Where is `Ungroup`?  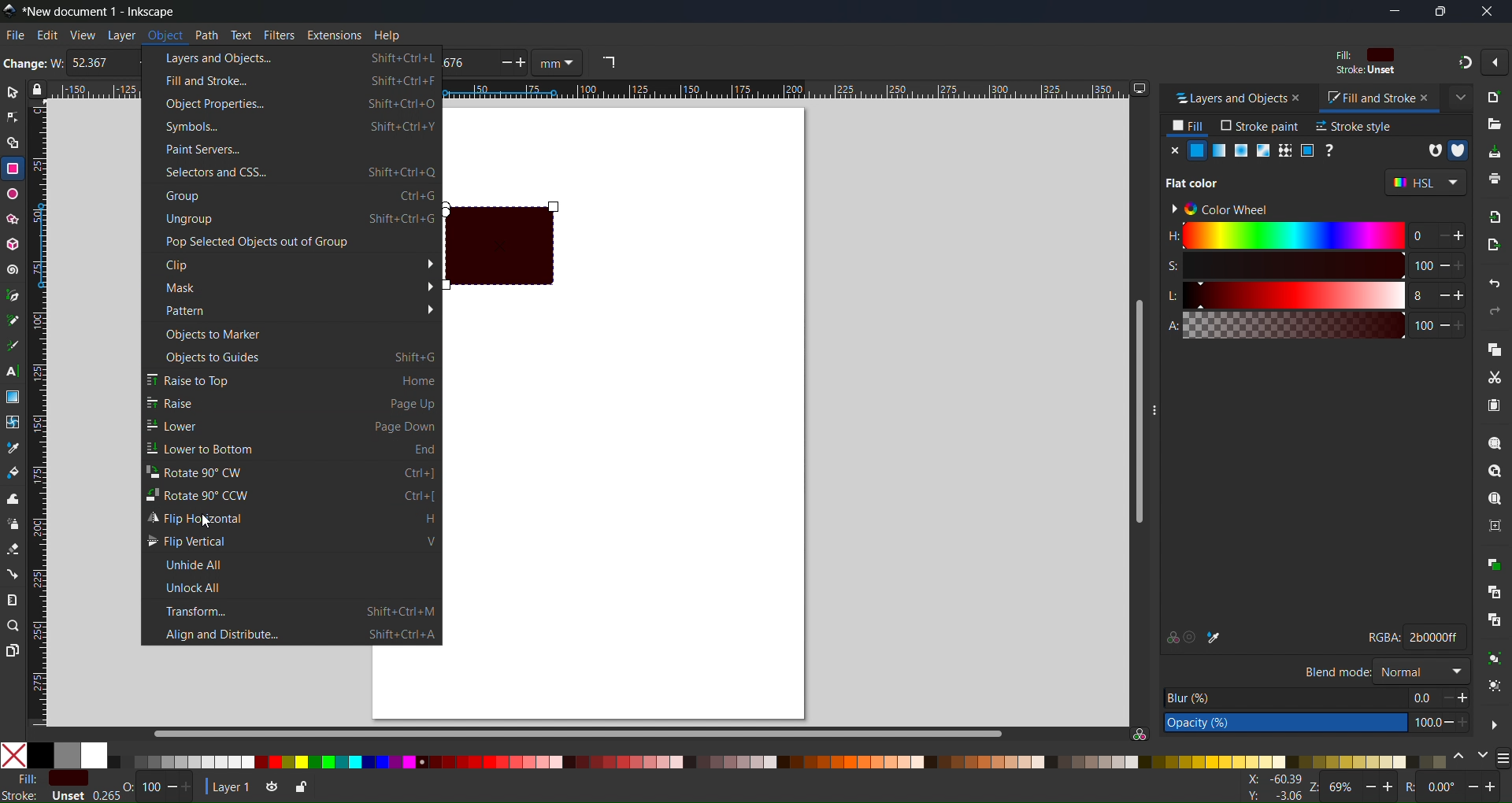
Ungroup is located at coordinates (1495, 687).